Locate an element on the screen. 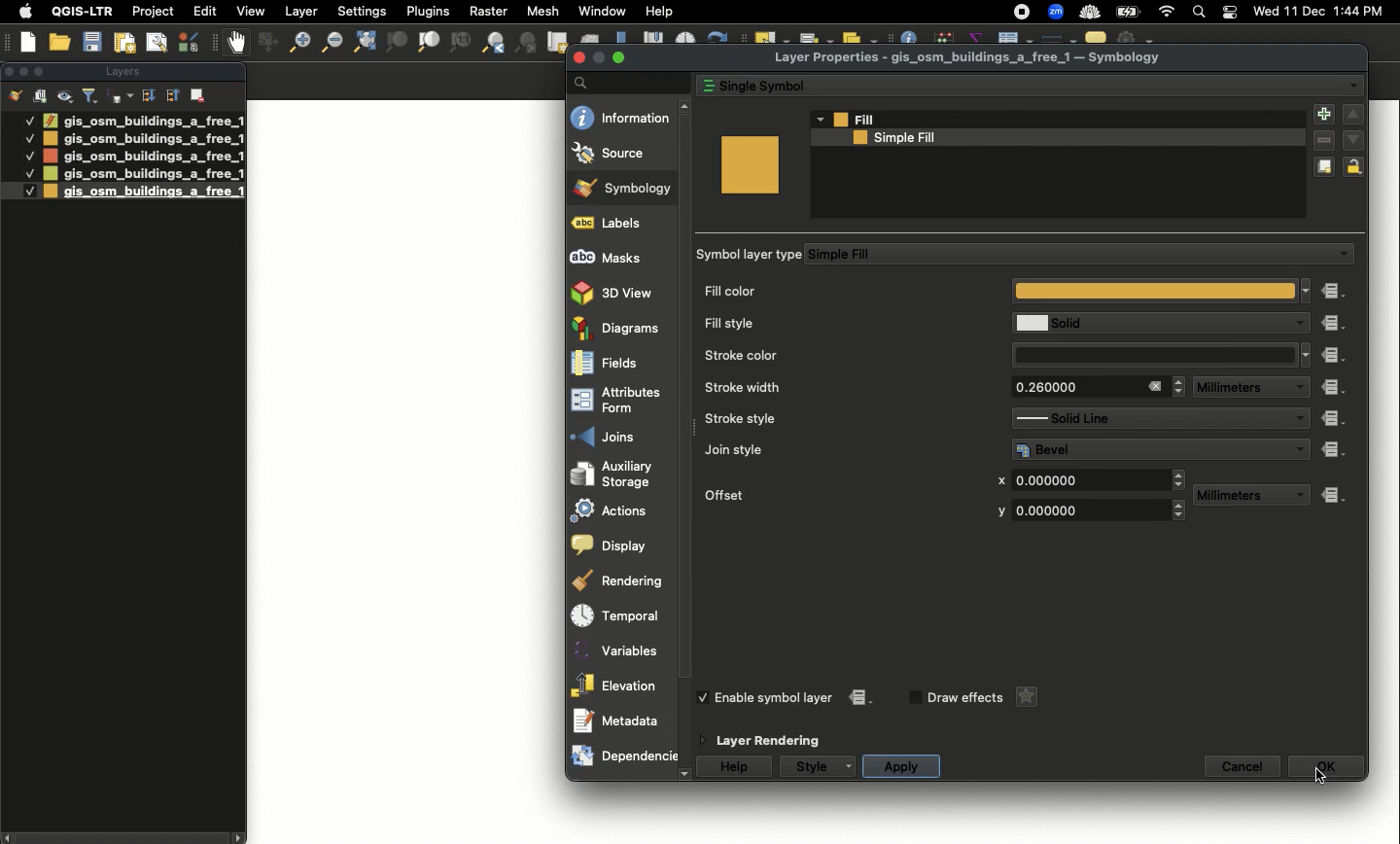 Image resolution: width=1400 pixels, height=844 pixels.  is located at coordinates (1153, 354).